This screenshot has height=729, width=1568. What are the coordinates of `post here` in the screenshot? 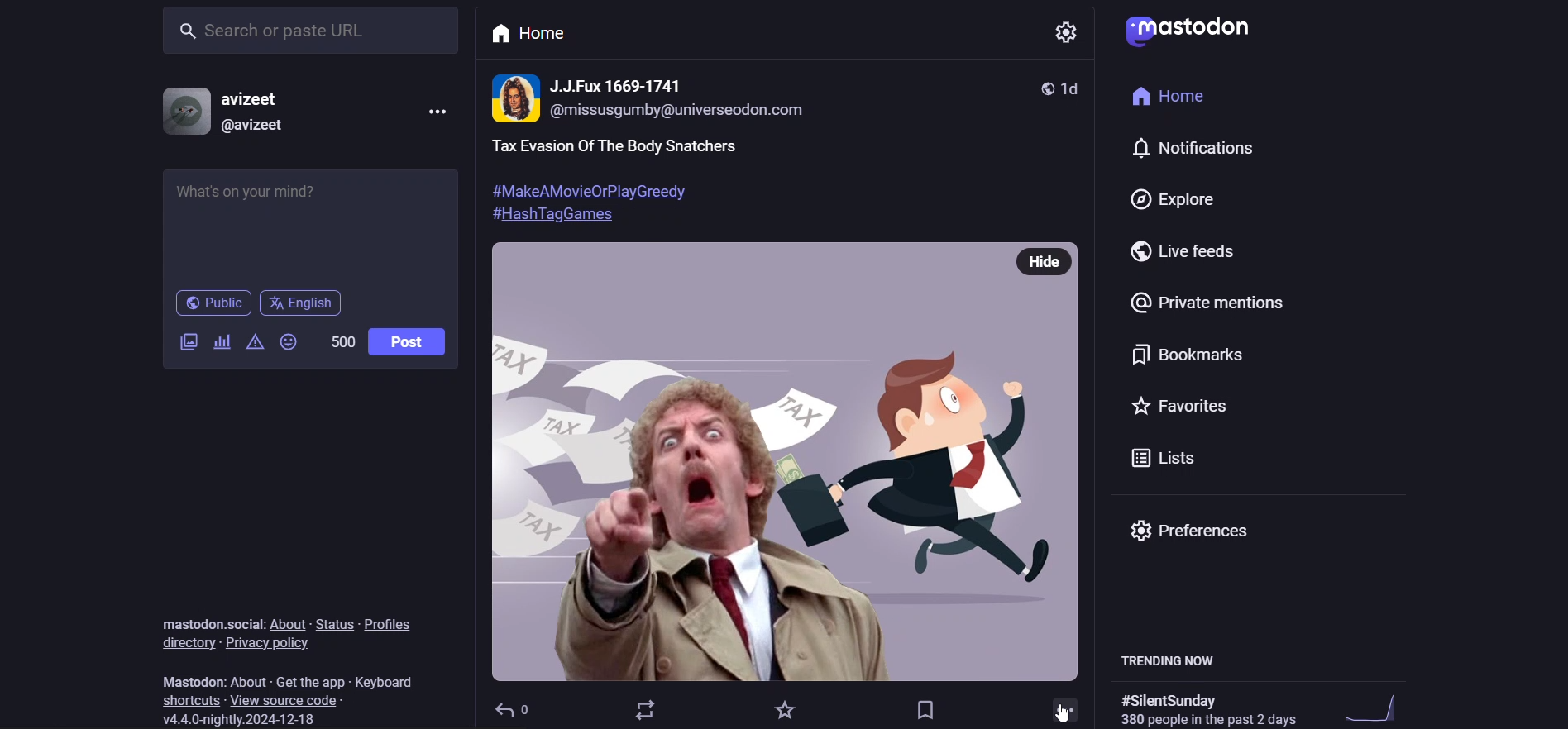 It's located at (308, 220).